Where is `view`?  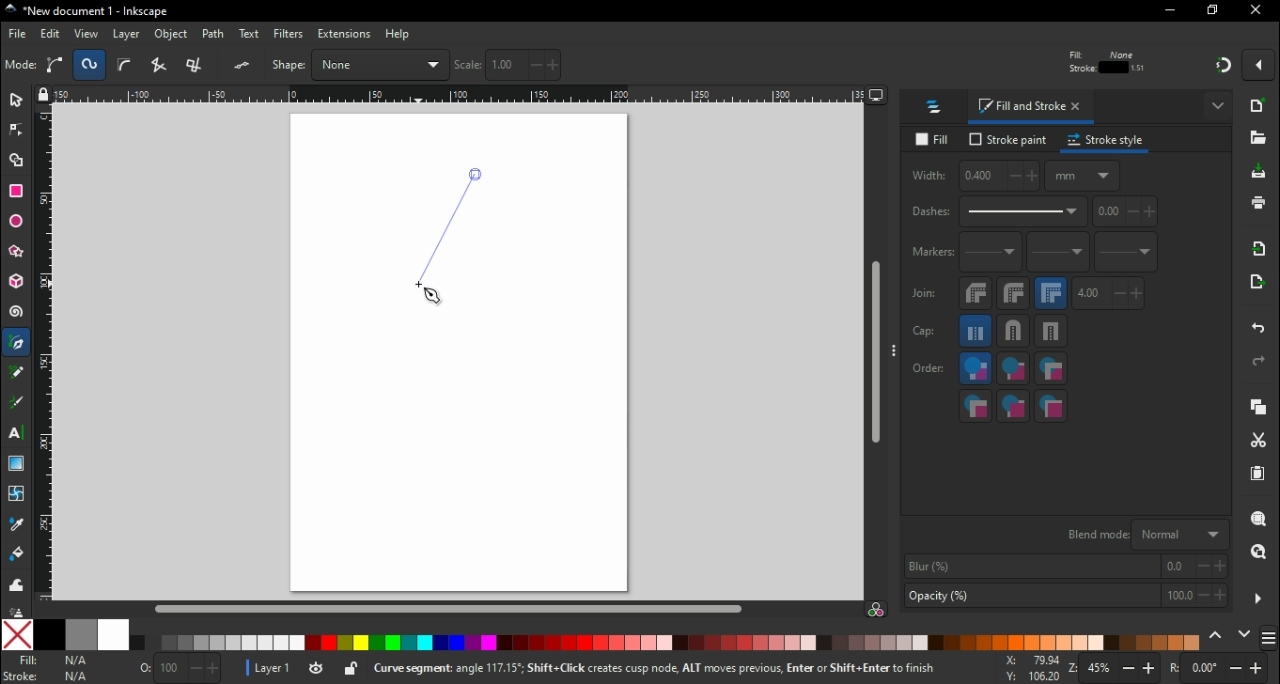 view is located at coordinates (85, 34).